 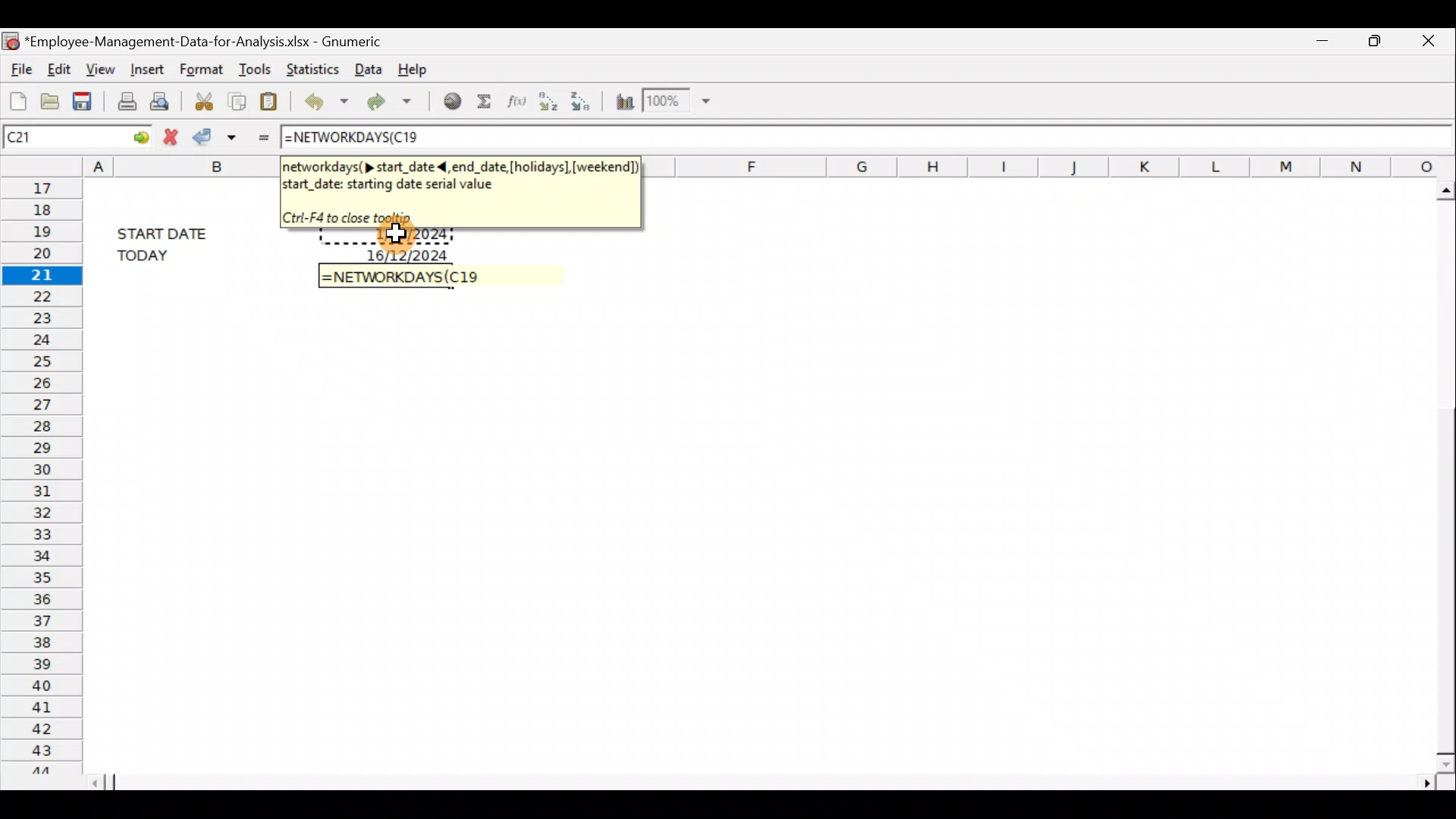 What do you see at coordinates (1439, 472) in the screenshot?
I see `Scroll bar` at bounding box center [1439, 472].